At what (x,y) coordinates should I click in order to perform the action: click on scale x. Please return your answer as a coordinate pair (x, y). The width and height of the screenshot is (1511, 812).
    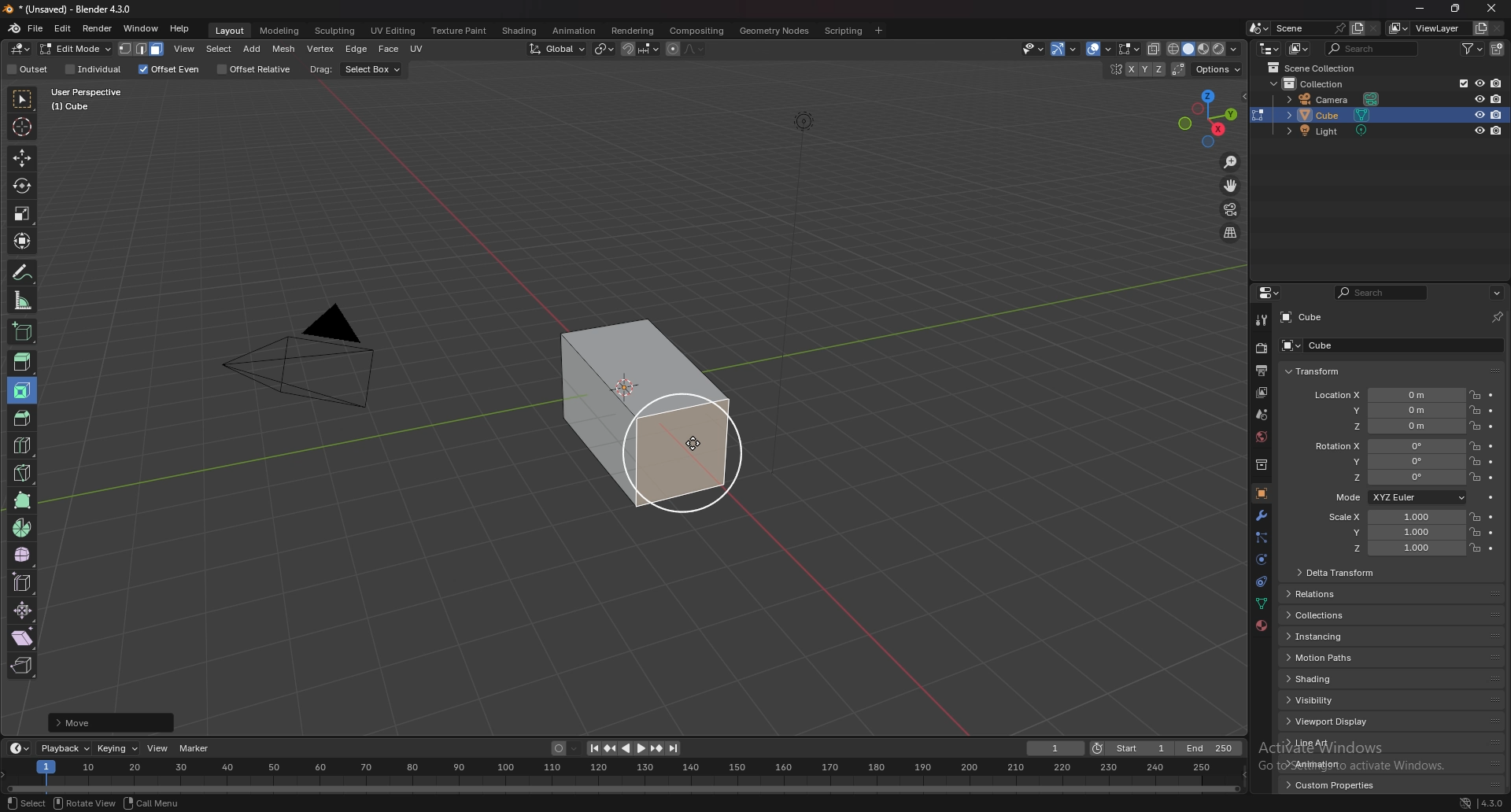
    Looking at the image, I should click on (1391, 517).